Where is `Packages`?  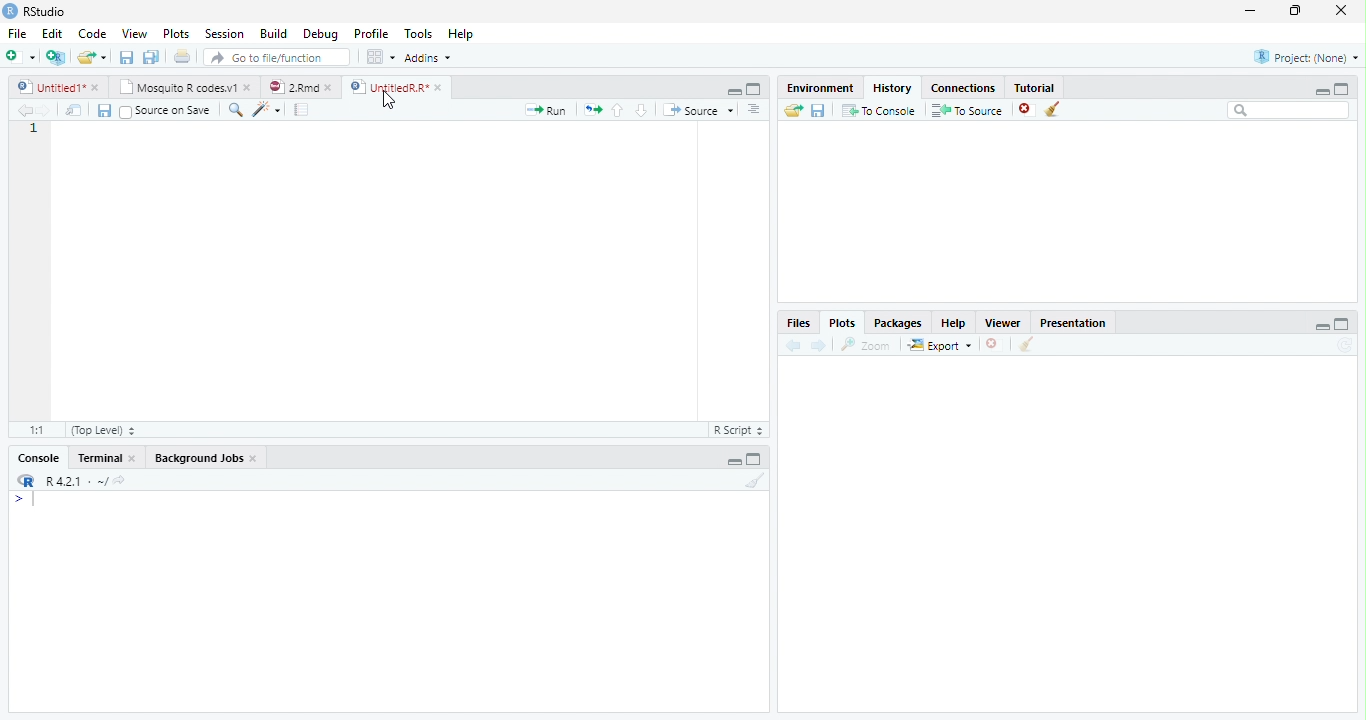 Packages is located at coordinates (896, 323).